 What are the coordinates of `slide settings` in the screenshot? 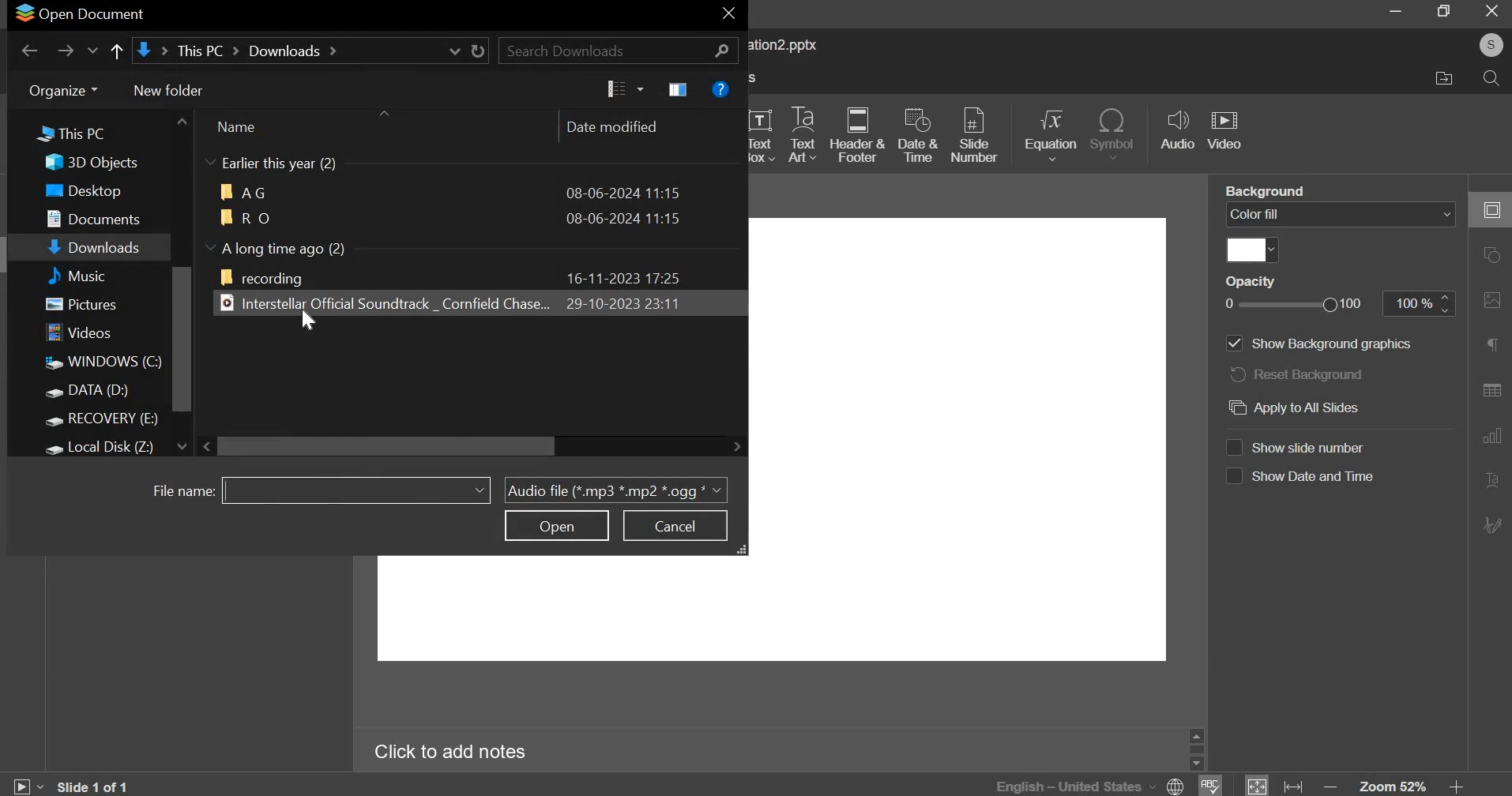 It's located at (1491, 209).